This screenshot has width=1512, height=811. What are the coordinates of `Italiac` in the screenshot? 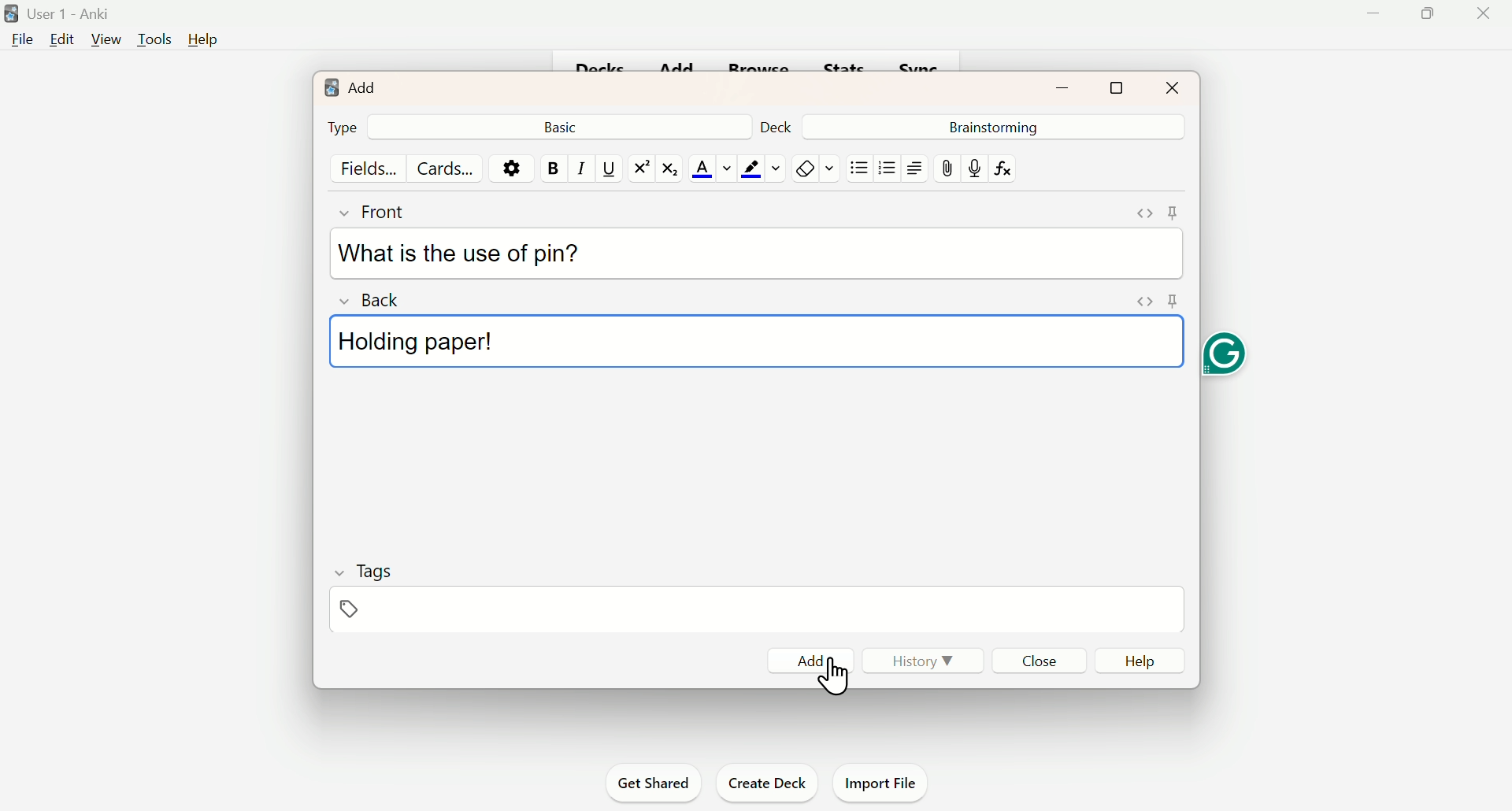 It's located at (580, 167).